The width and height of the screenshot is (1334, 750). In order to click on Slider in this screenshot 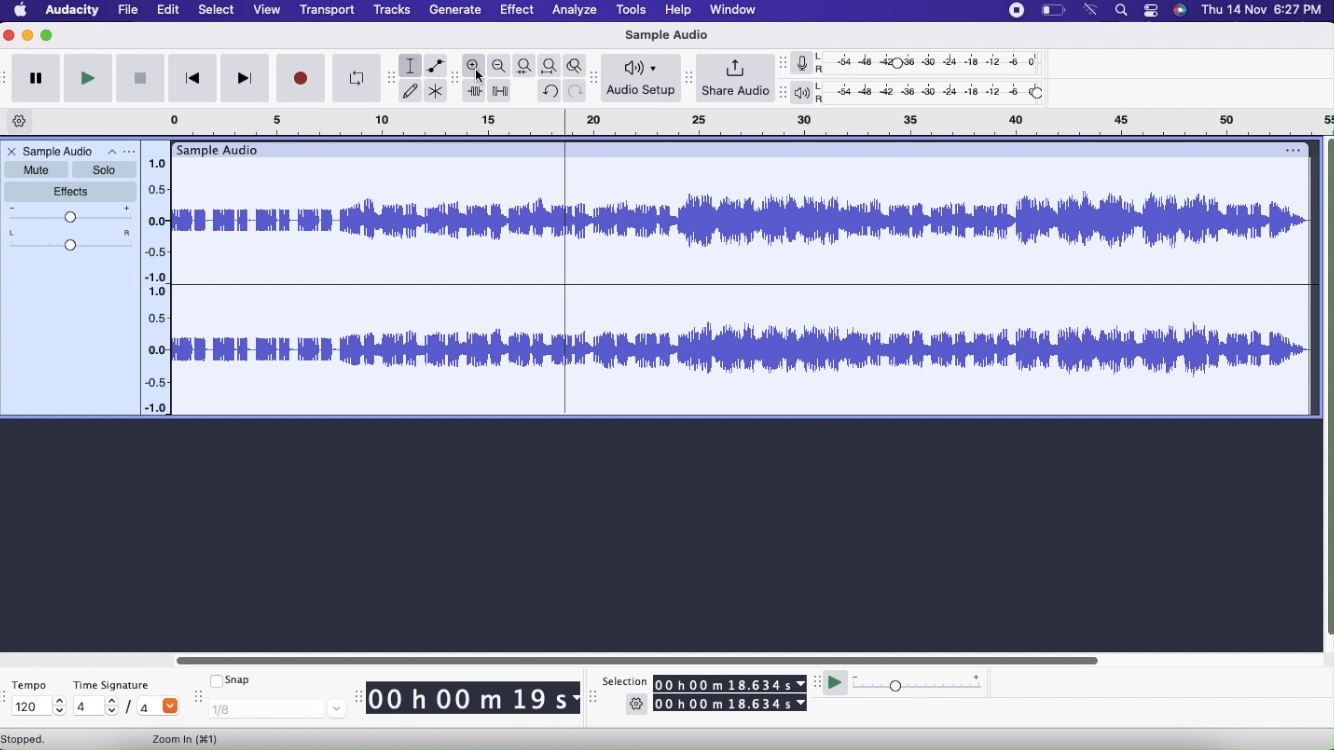, I will do `click(1326, 384)`.